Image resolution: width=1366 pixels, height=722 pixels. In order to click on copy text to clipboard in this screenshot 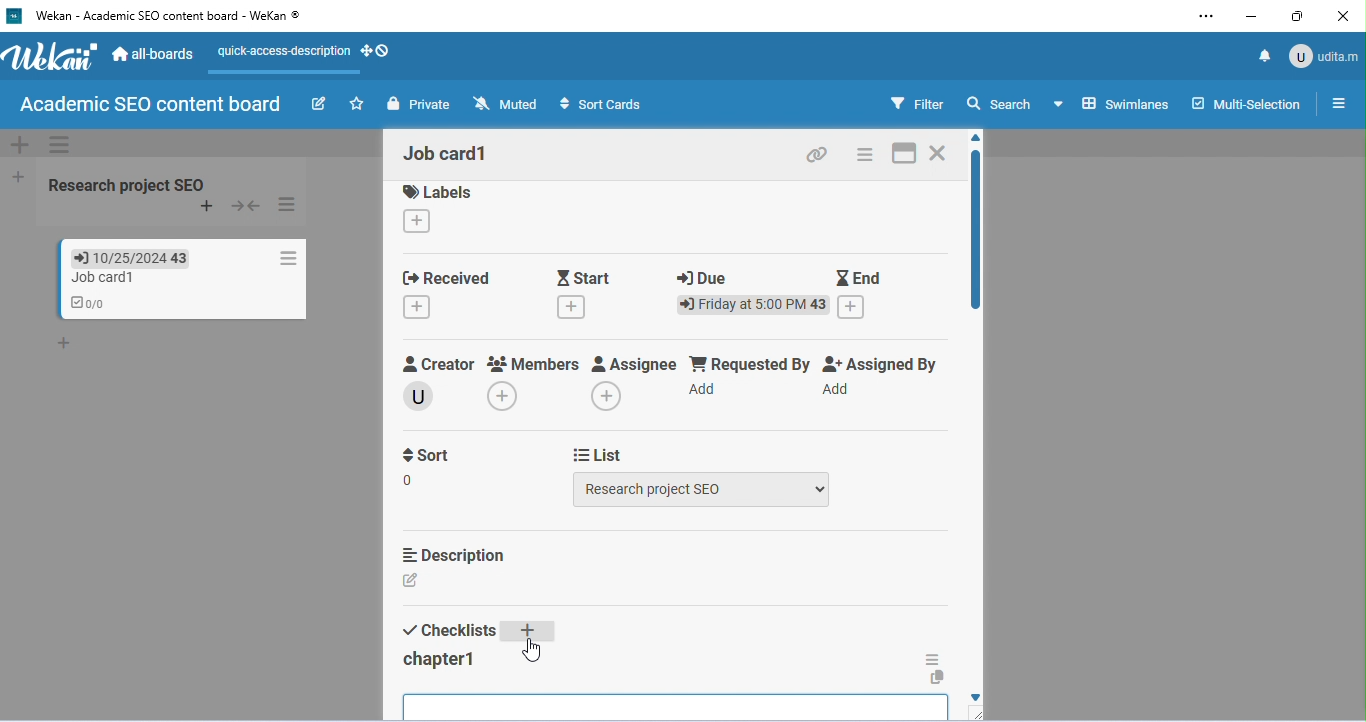, I will do `click(936, 678)`.